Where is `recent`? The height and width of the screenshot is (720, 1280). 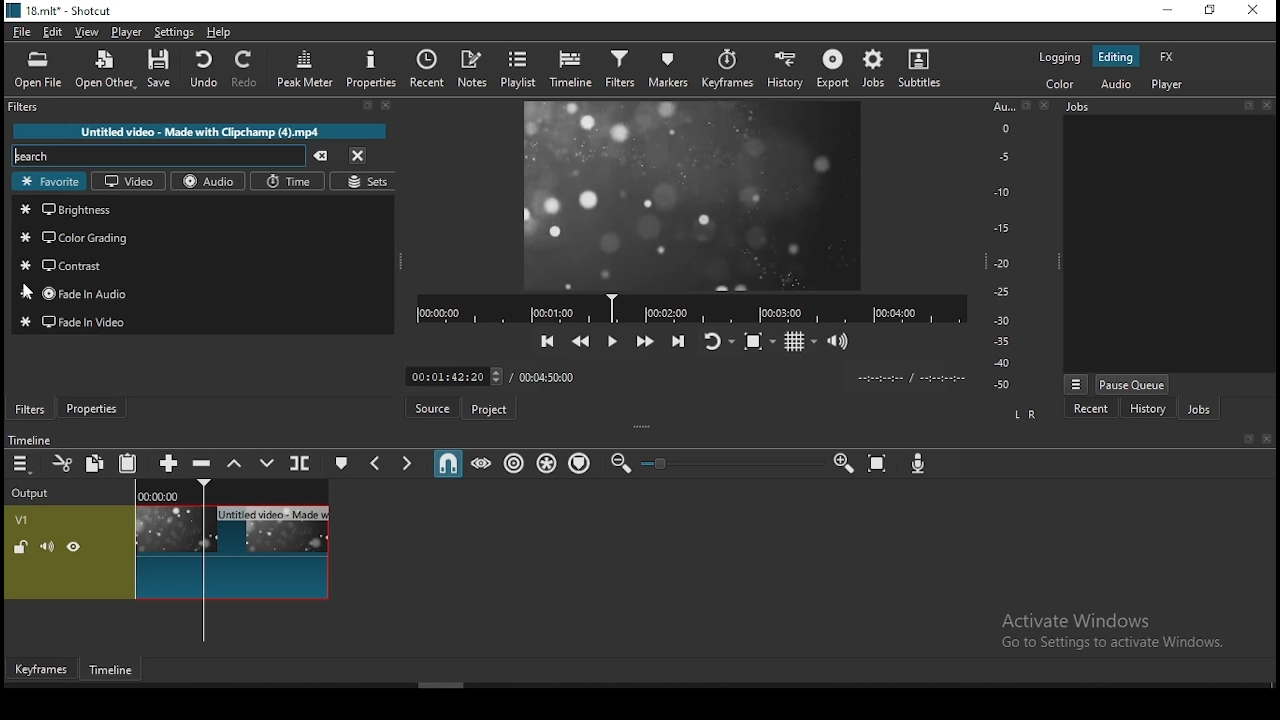 recent is located at coordinates (1092, 408).